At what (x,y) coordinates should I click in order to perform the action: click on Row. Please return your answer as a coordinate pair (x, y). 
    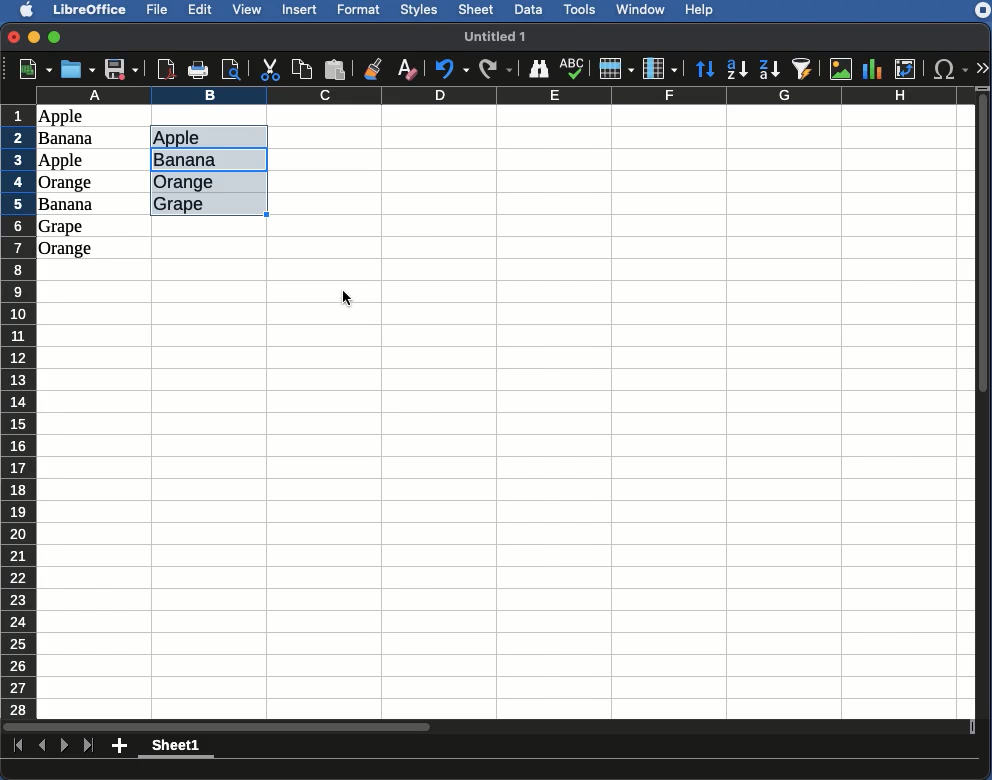
    Looking at the image, I should click on (616, 69).